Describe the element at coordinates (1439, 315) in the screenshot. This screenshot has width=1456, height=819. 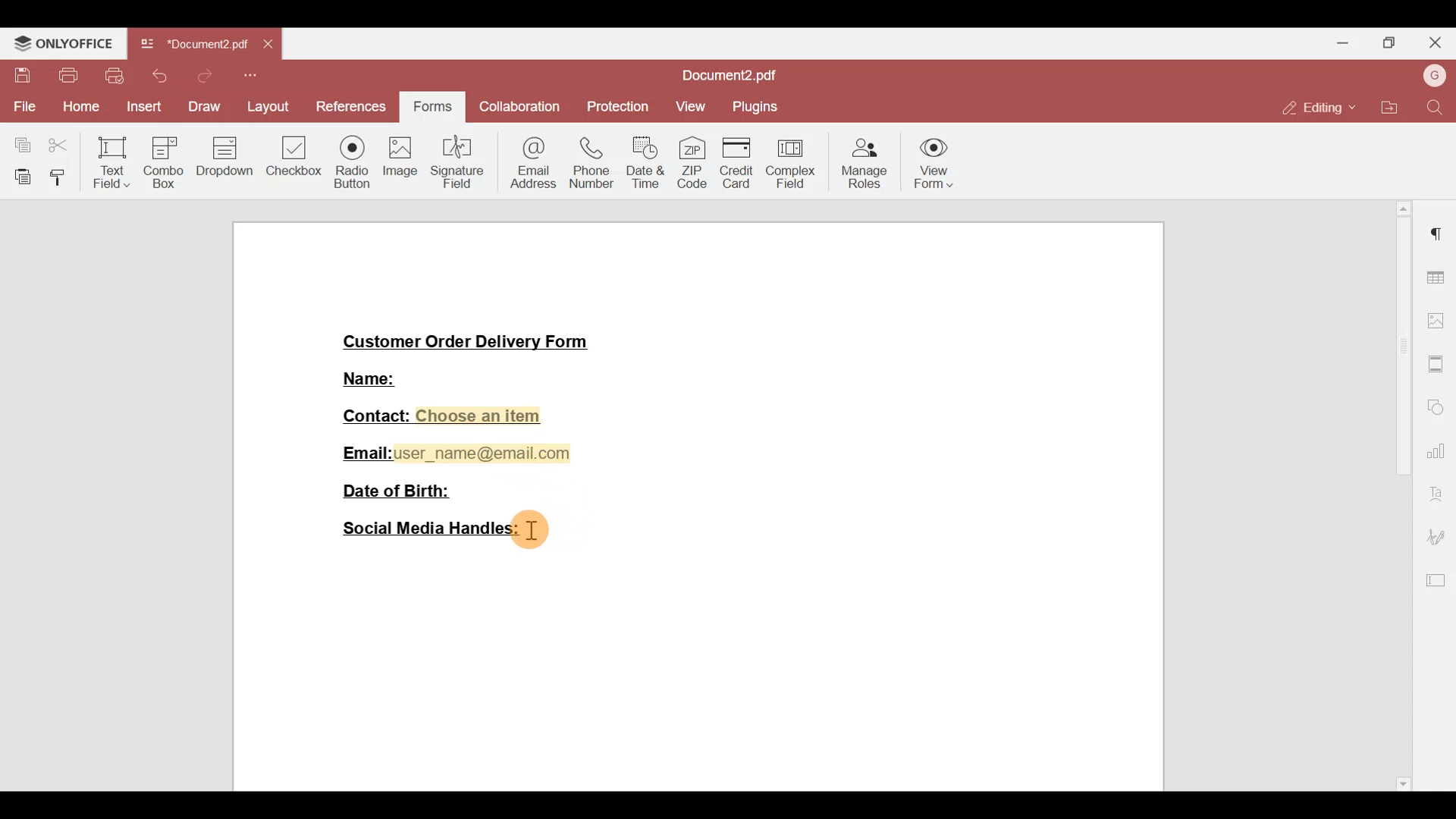
I see `Image settings` at that location.